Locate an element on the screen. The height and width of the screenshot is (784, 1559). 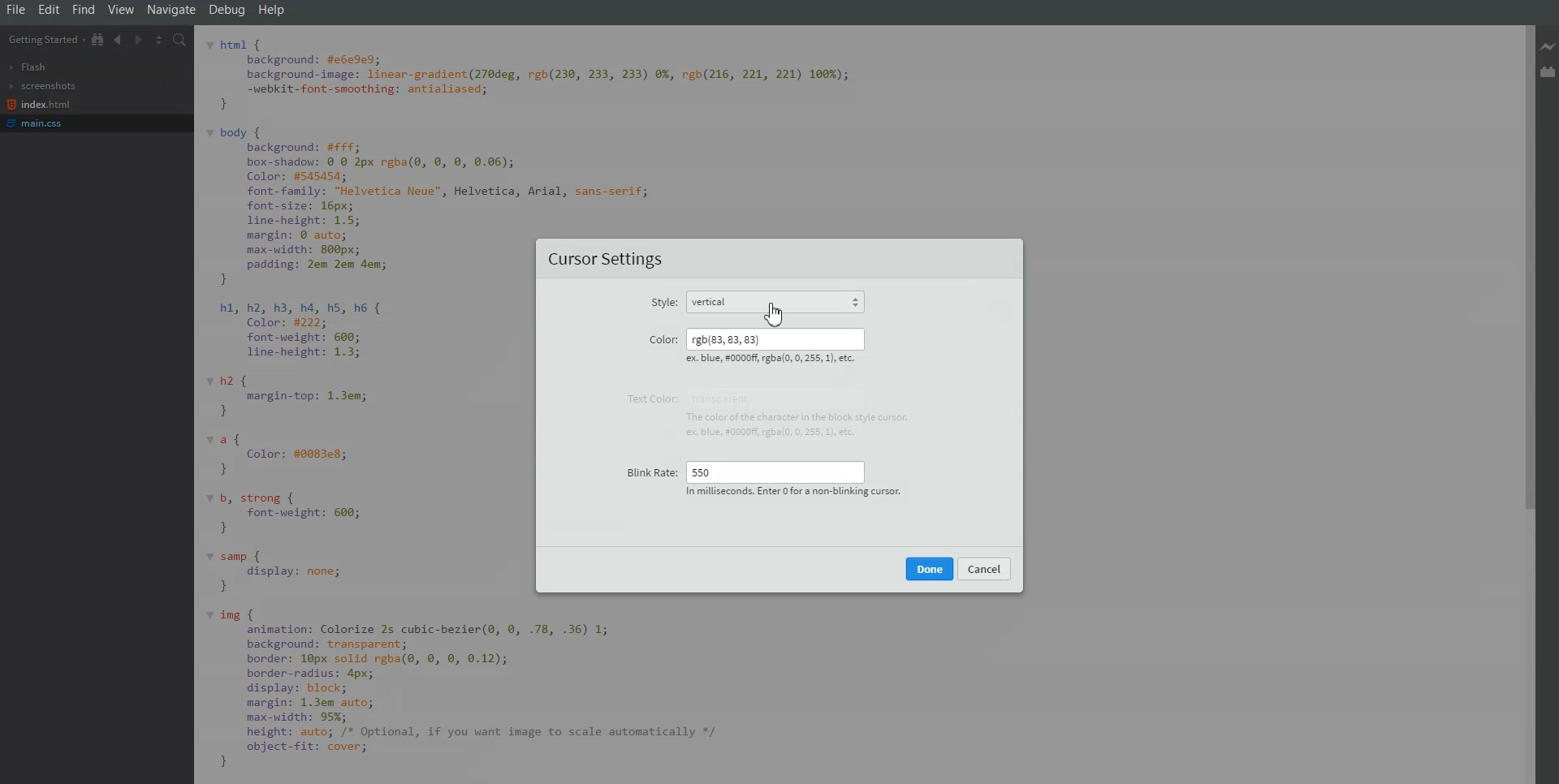
Split editor vertically and Horizontally is located at coordinates (159, 39).